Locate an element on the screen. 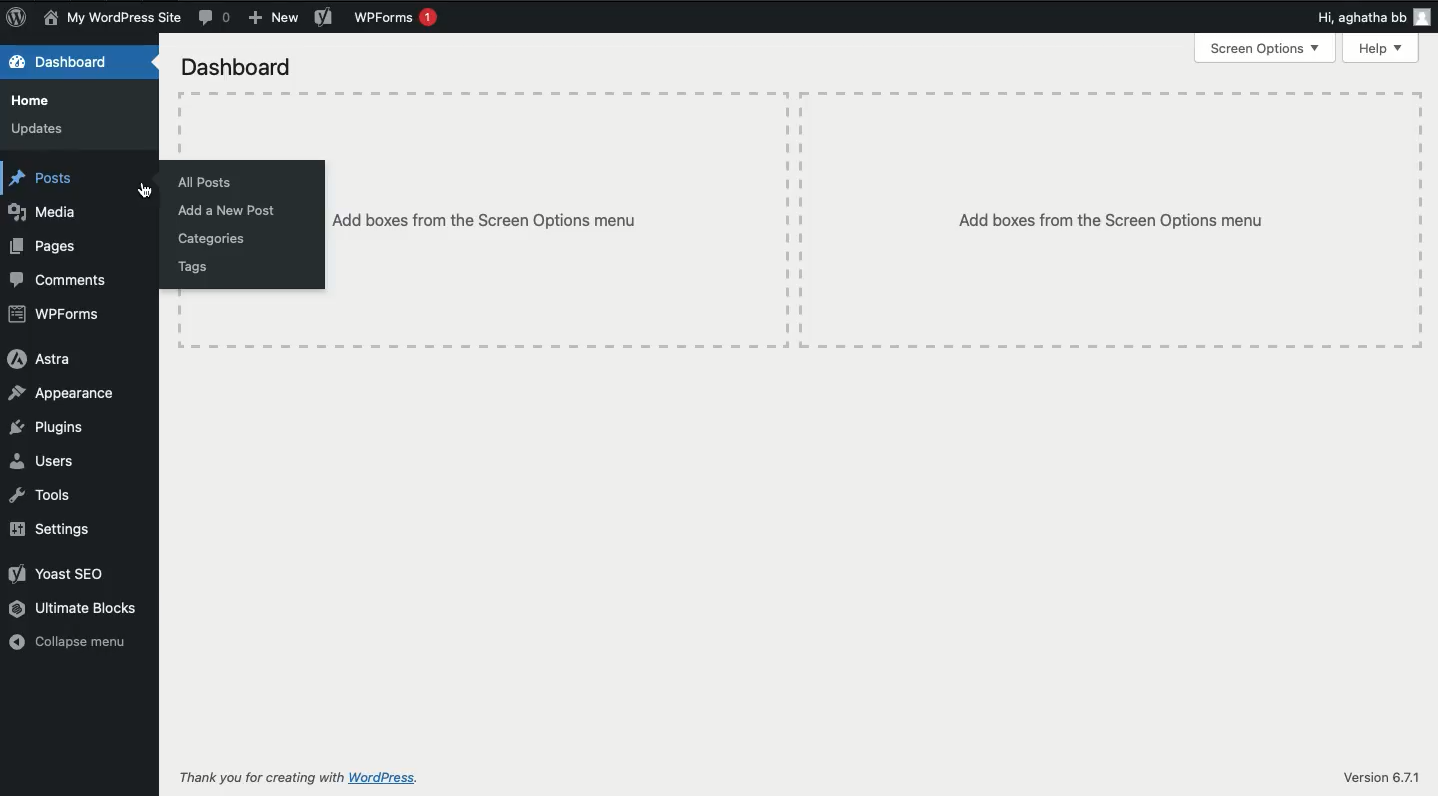   is located at coordinates (61, 62).